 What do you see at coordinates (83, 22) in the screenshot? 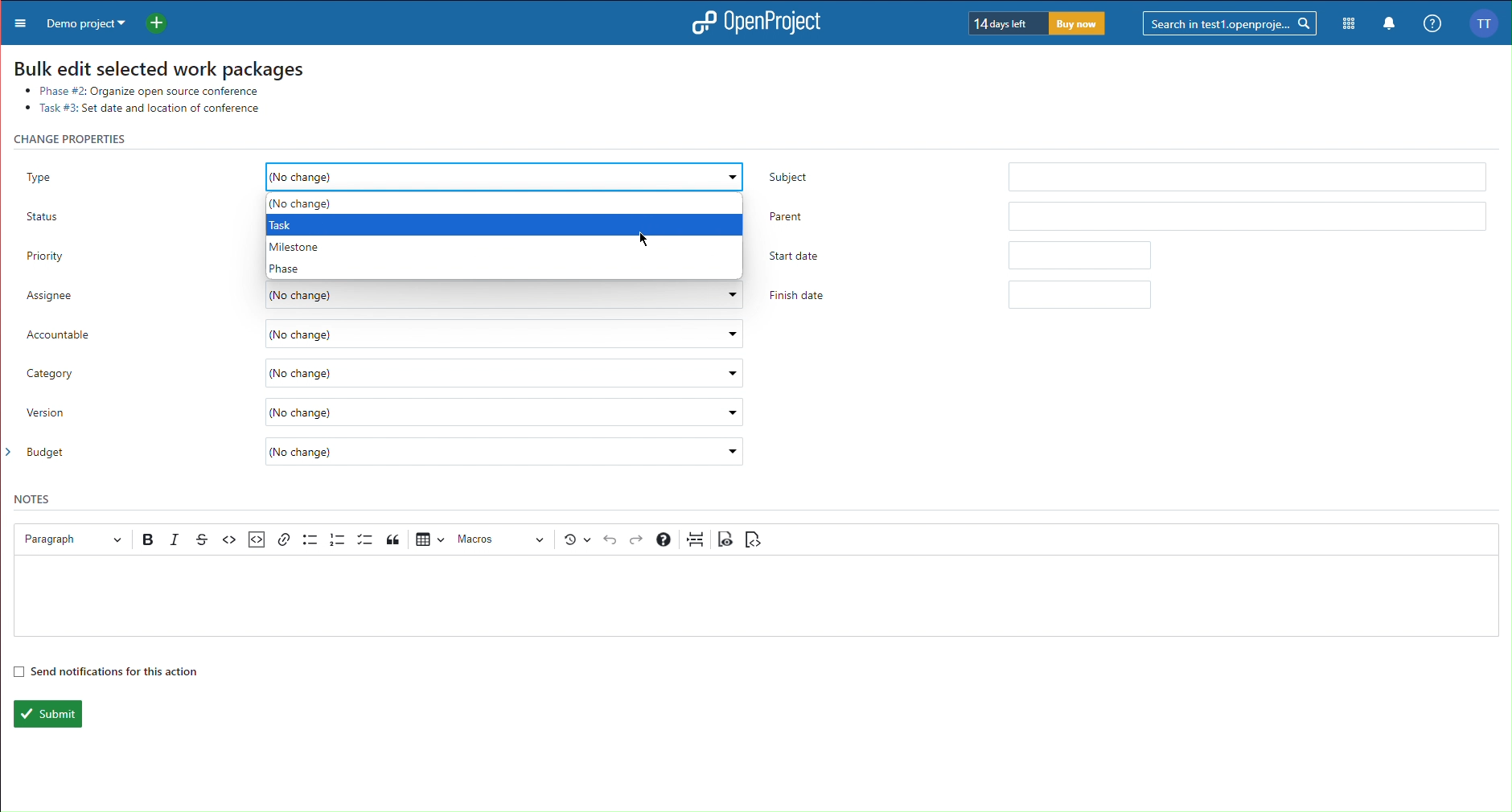
I see `Demo project` at bounding box center [83, 22].